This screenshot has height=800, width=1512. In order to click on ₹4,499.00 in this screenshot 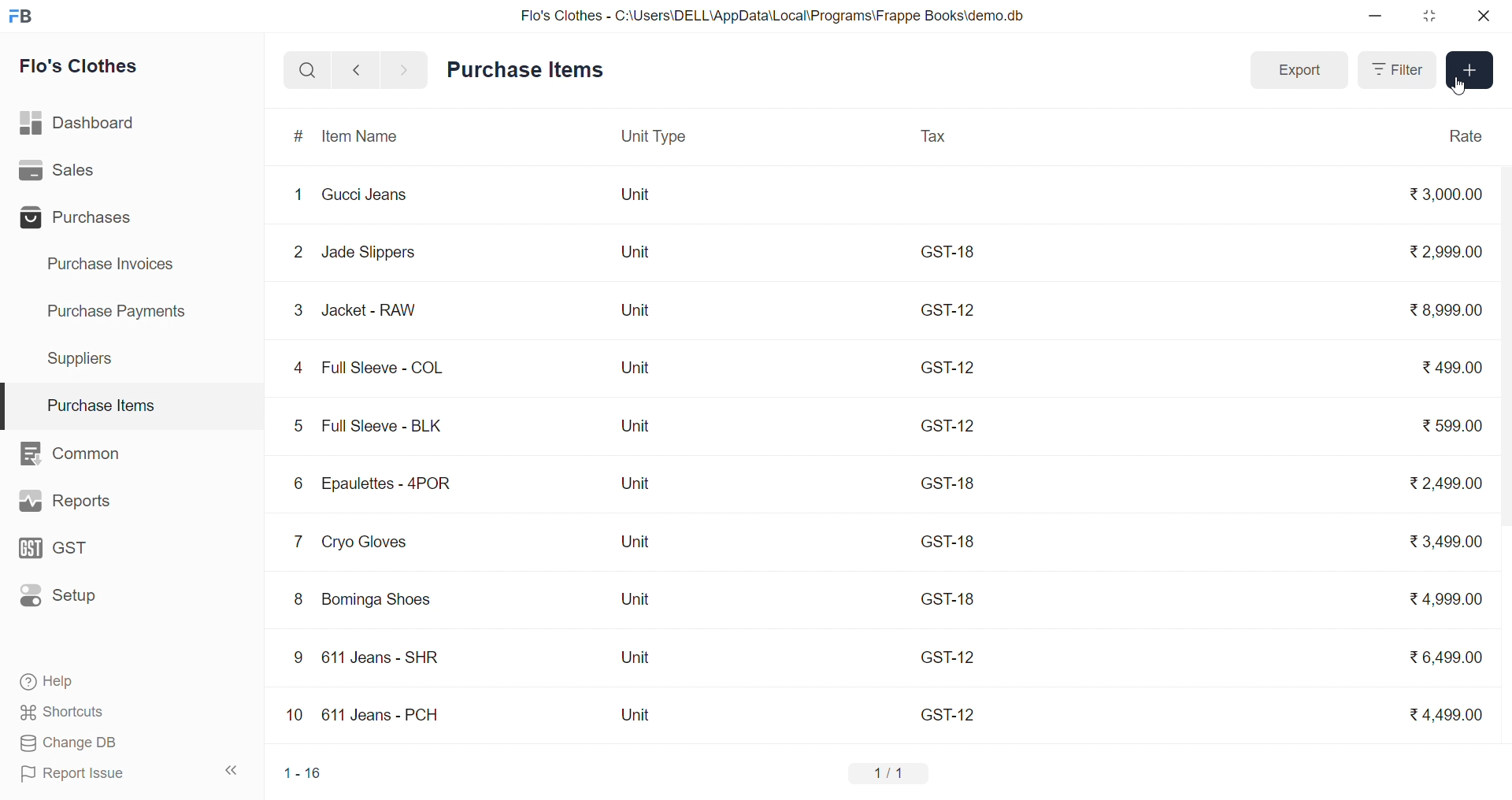, I will do `click(1446, 716)`.